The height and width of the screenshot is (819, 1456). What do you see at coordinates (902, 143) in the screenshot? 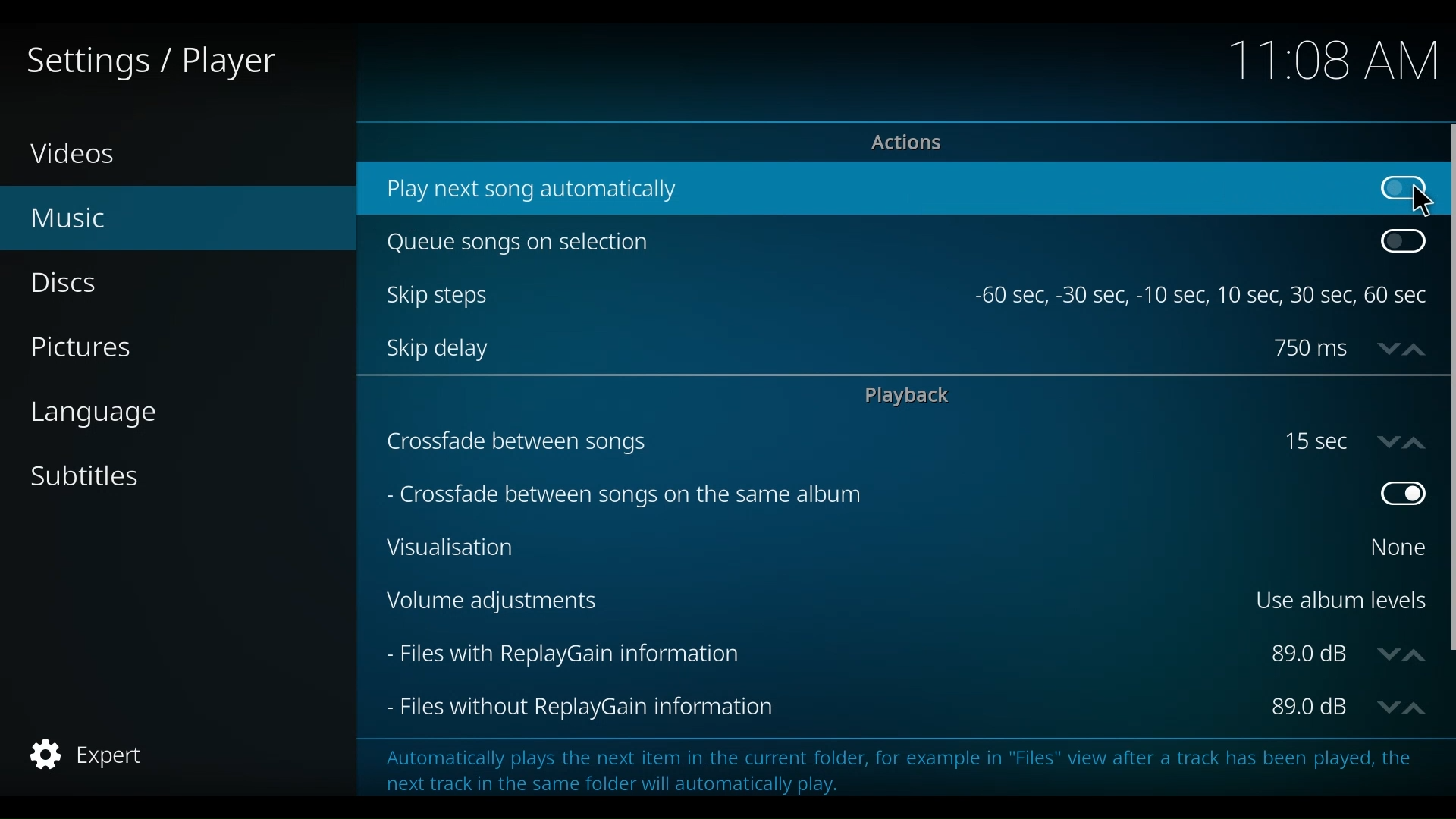
I see `Actions` at bounding box center [902, 143].